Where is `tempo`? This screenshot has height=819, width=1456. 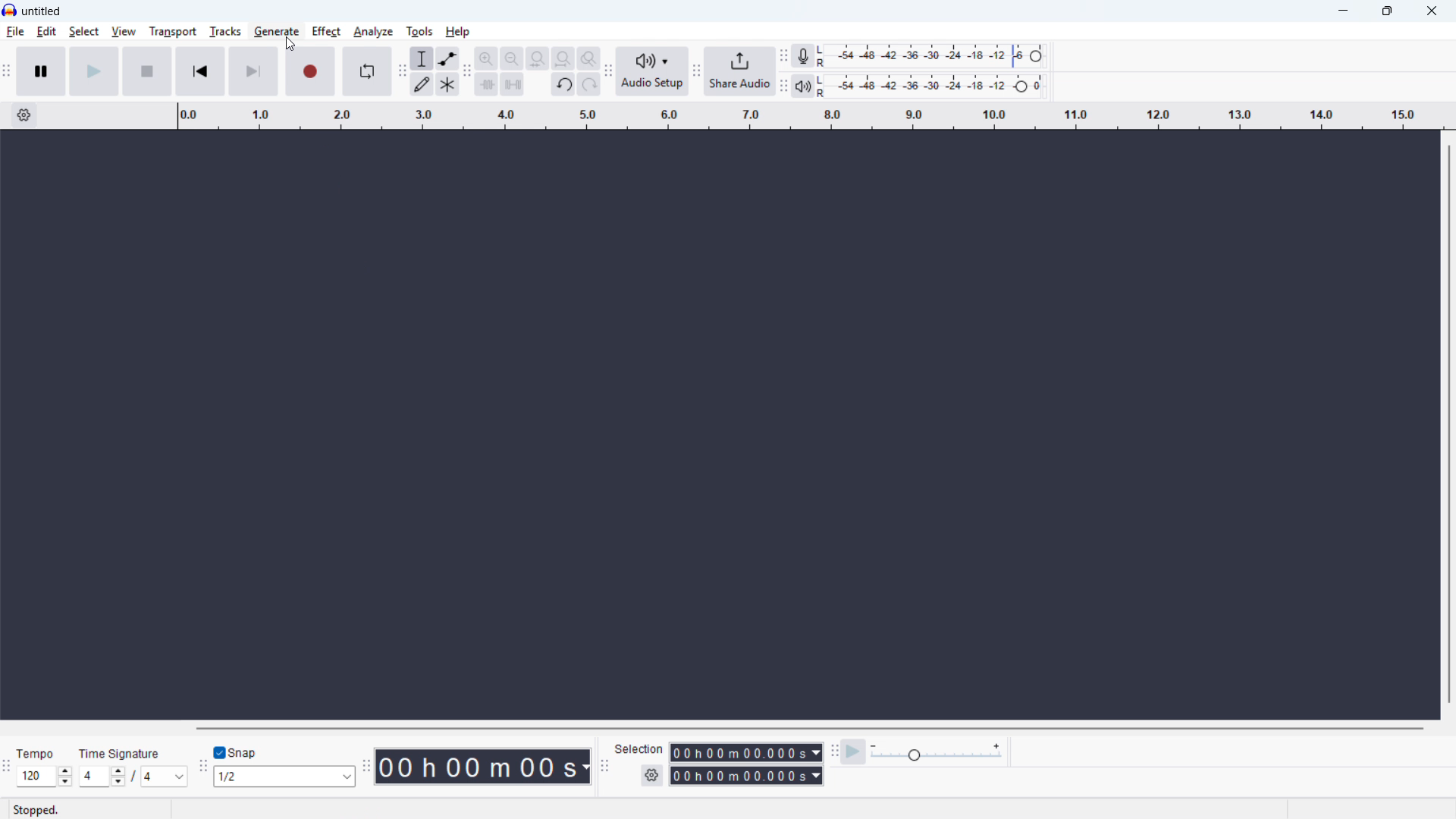
tempo is located at coordinates (38, 754).